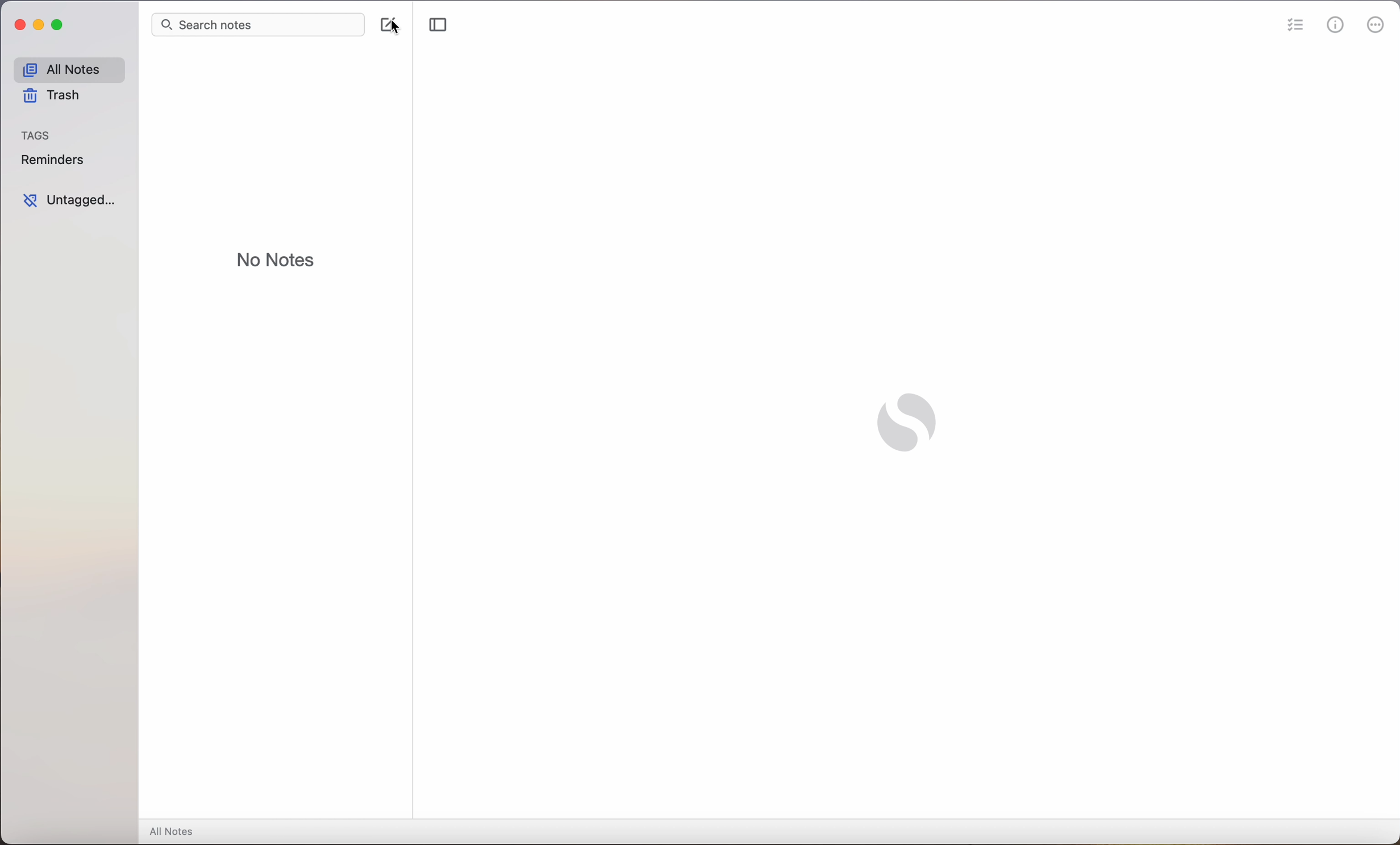 The width and height of the screenshot is (1400, 845). Describe the element at coordinates (19, 26) in the screenshot. I see `close Simplenote` at that location.